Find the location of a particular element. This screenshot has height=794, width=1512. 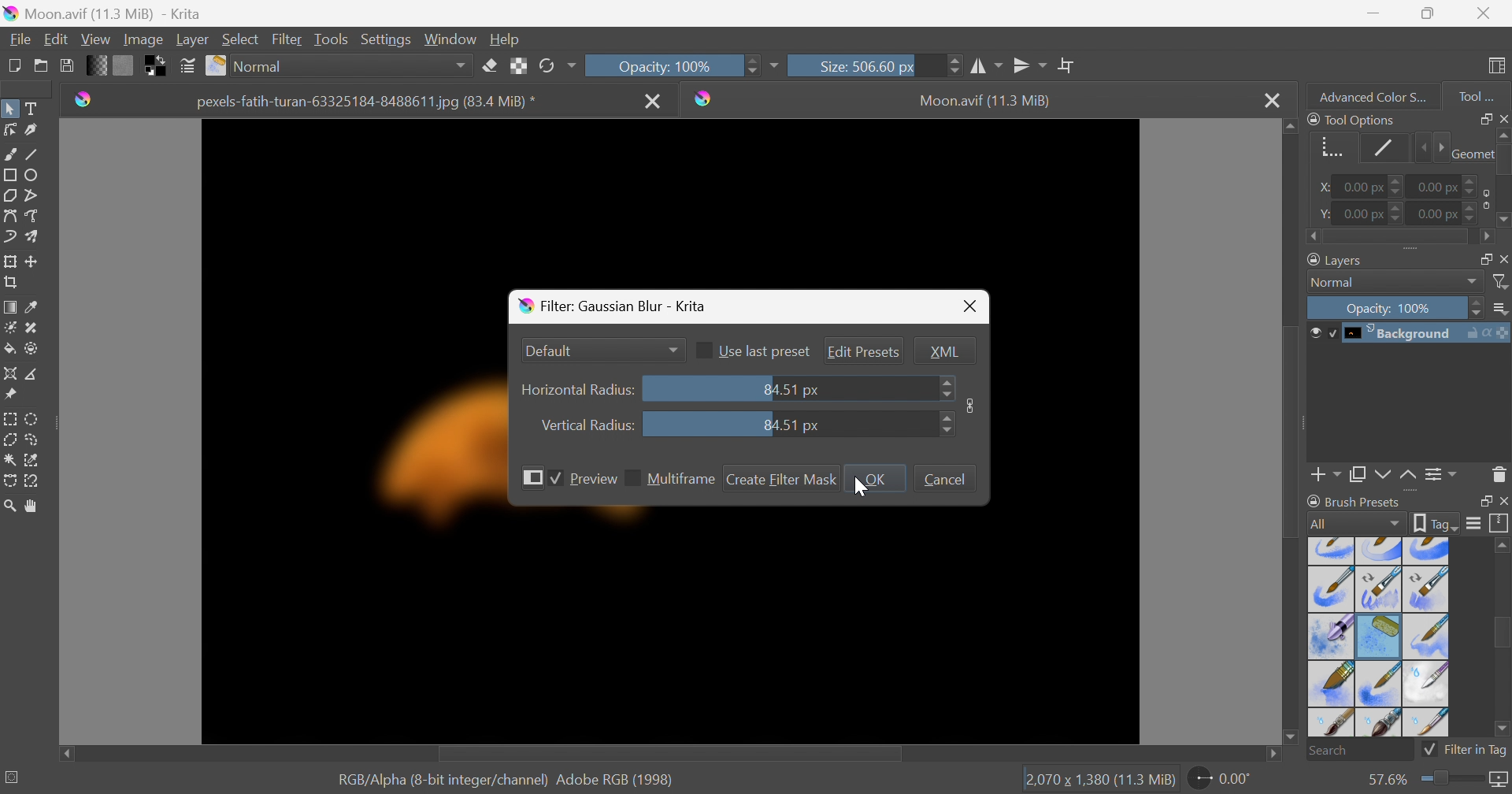

Open and existing document is located at coordinates (42, 65).